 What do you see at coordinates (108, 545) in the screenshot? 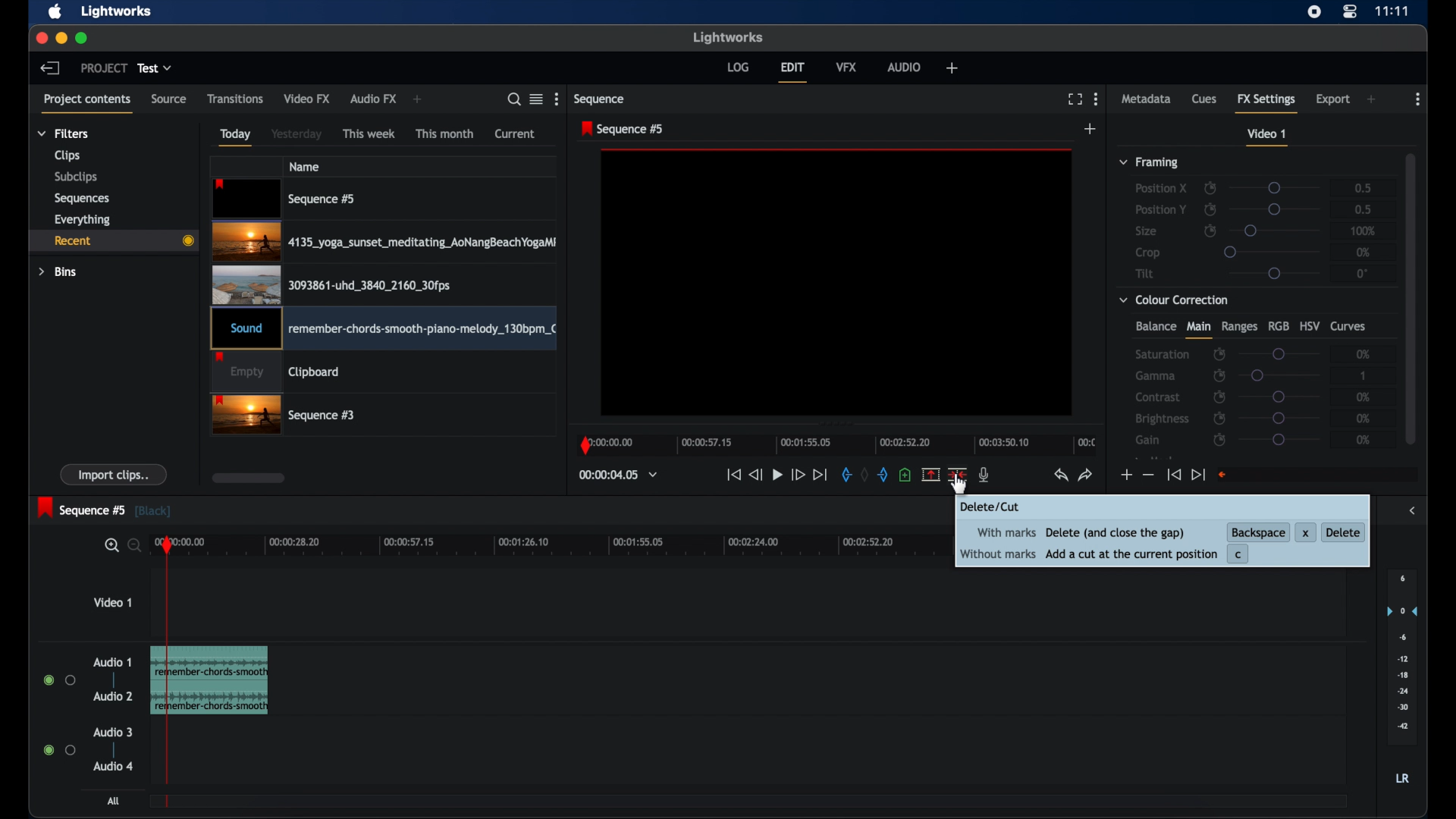
I see `zoom in` at bounding box center [108, 545].